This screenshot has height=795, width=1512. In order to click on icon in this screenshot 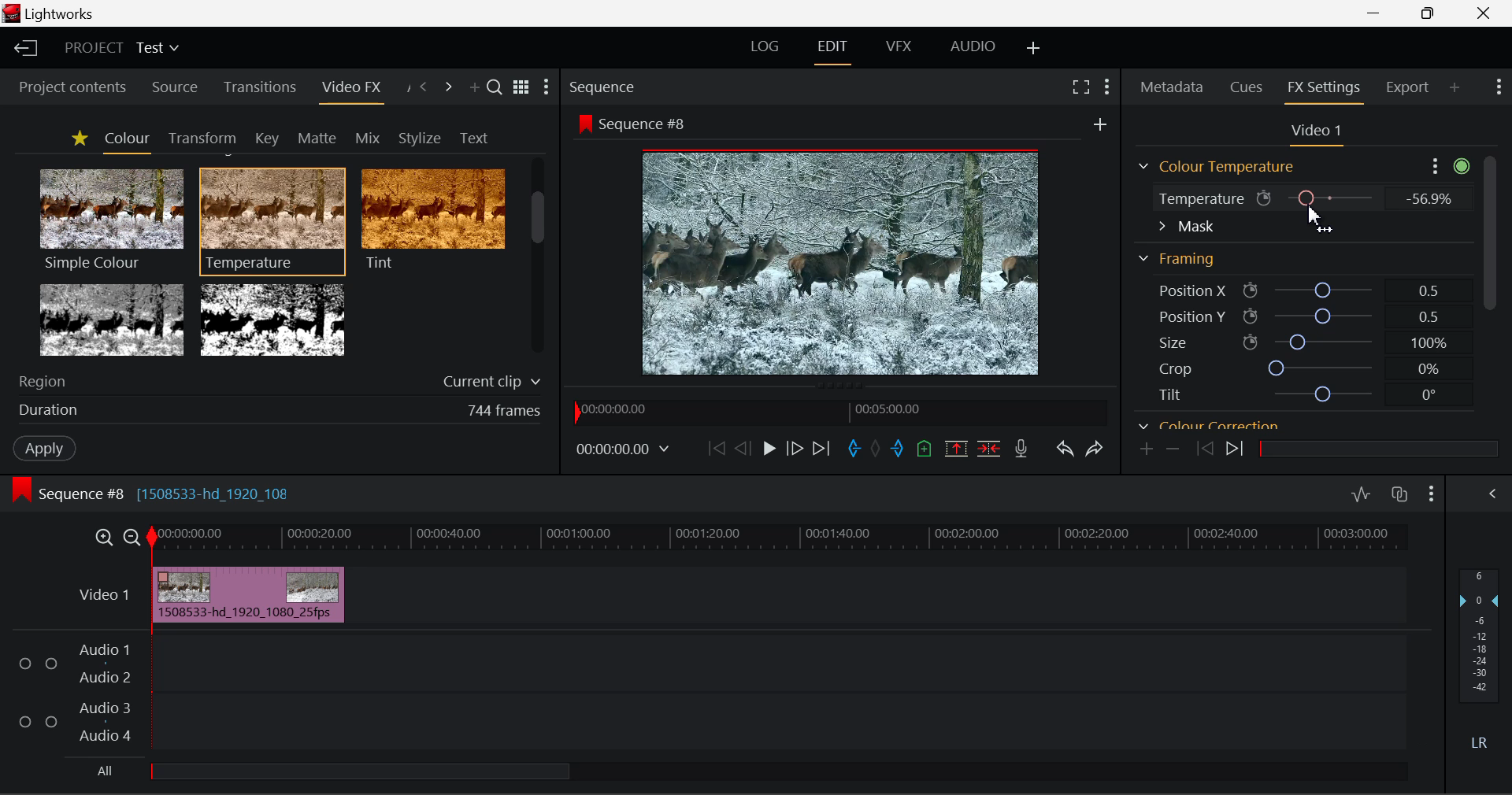, I will do `click(1251, 291)`.